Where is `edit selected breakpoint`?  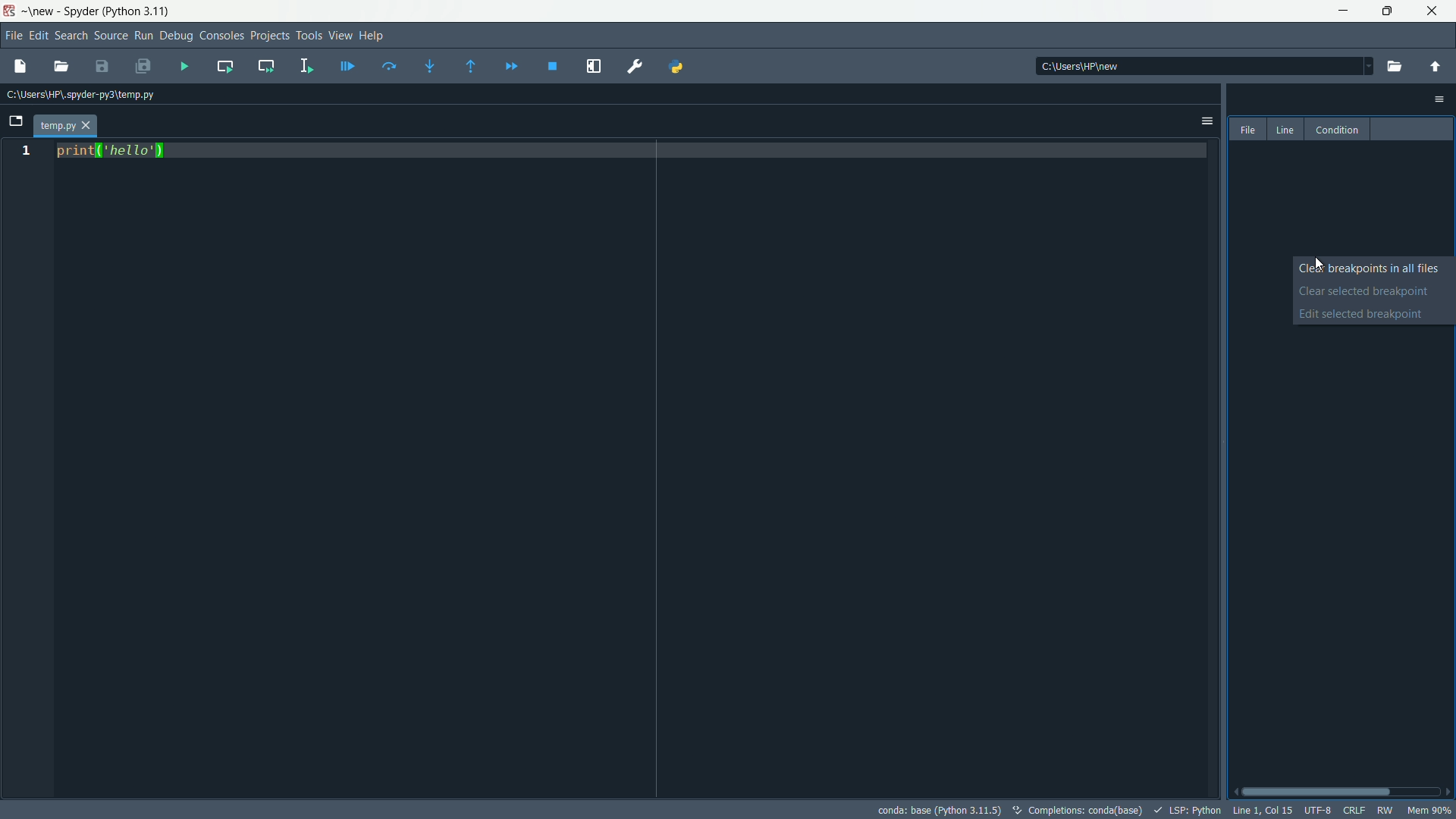 edit selected breakpoint is located at coordinates (1375, 315).